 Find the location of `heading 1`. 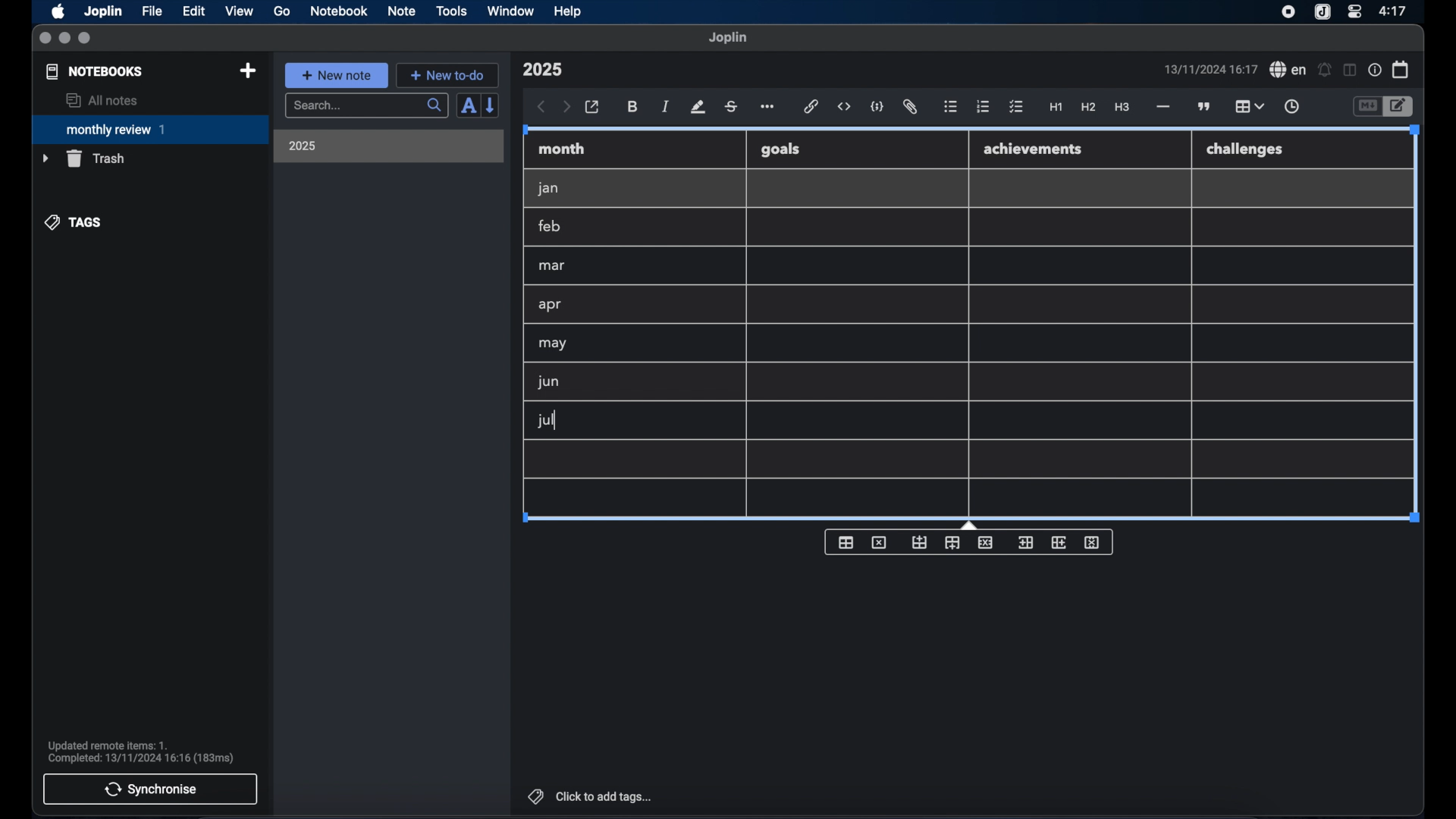

heading 1 is located at coordinates (1056, 108).